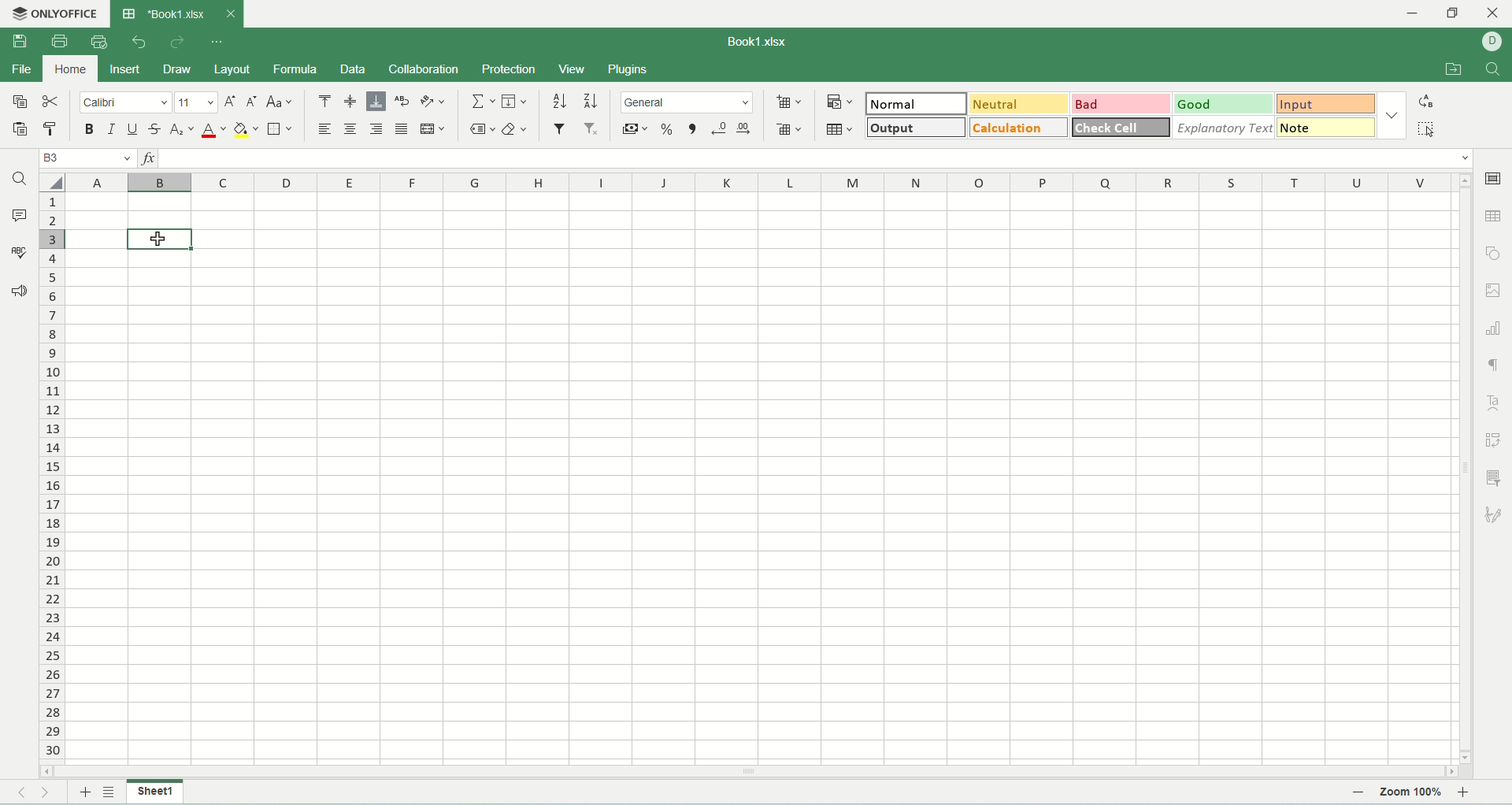  What do you see at coordinates (376, 128) in the screenshot?
I see `align right` at bounding box center [376, 128].